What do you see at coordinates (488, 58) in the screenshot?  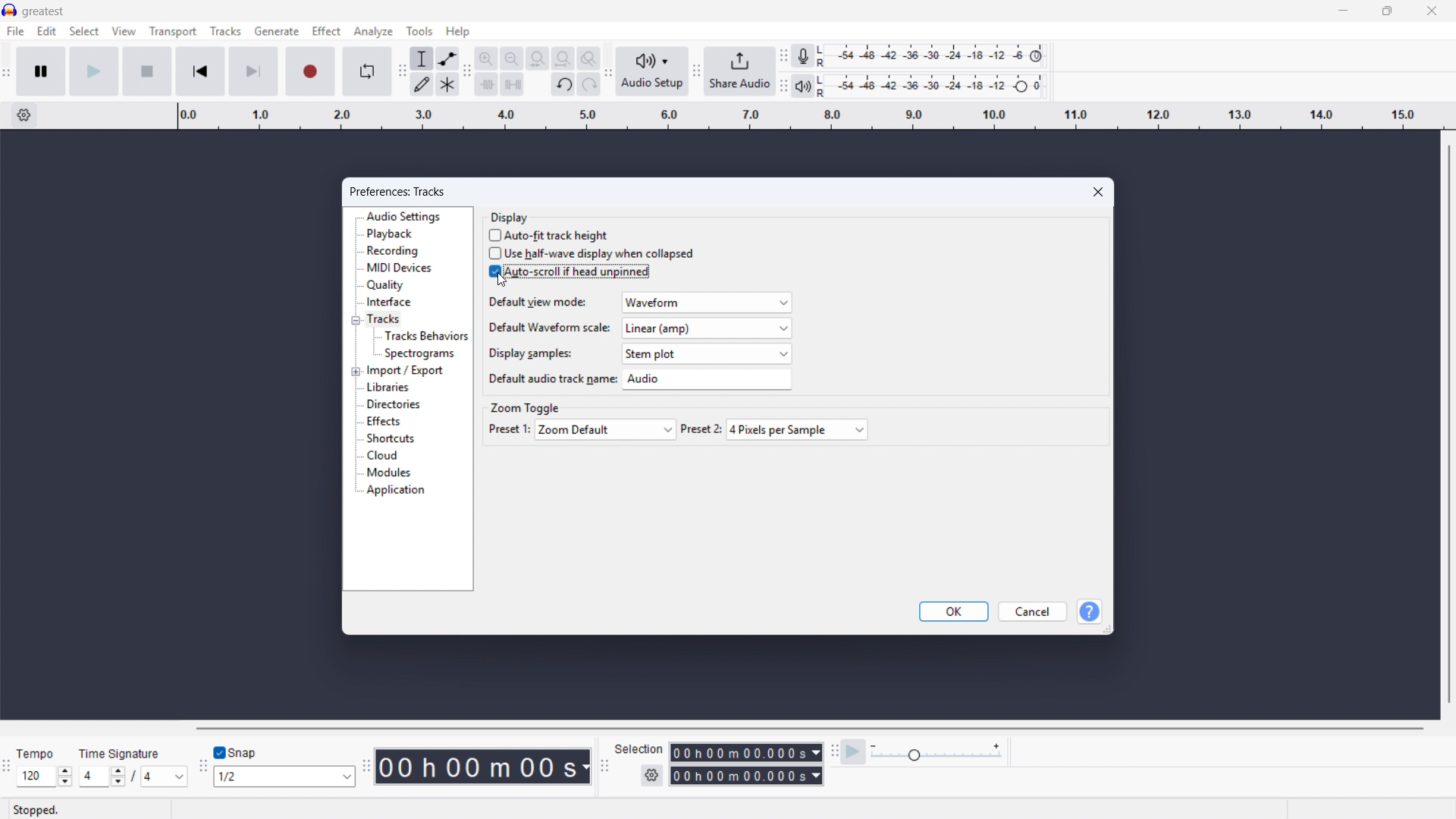 I see `Zoom in ` at bounding box center [488, 58].